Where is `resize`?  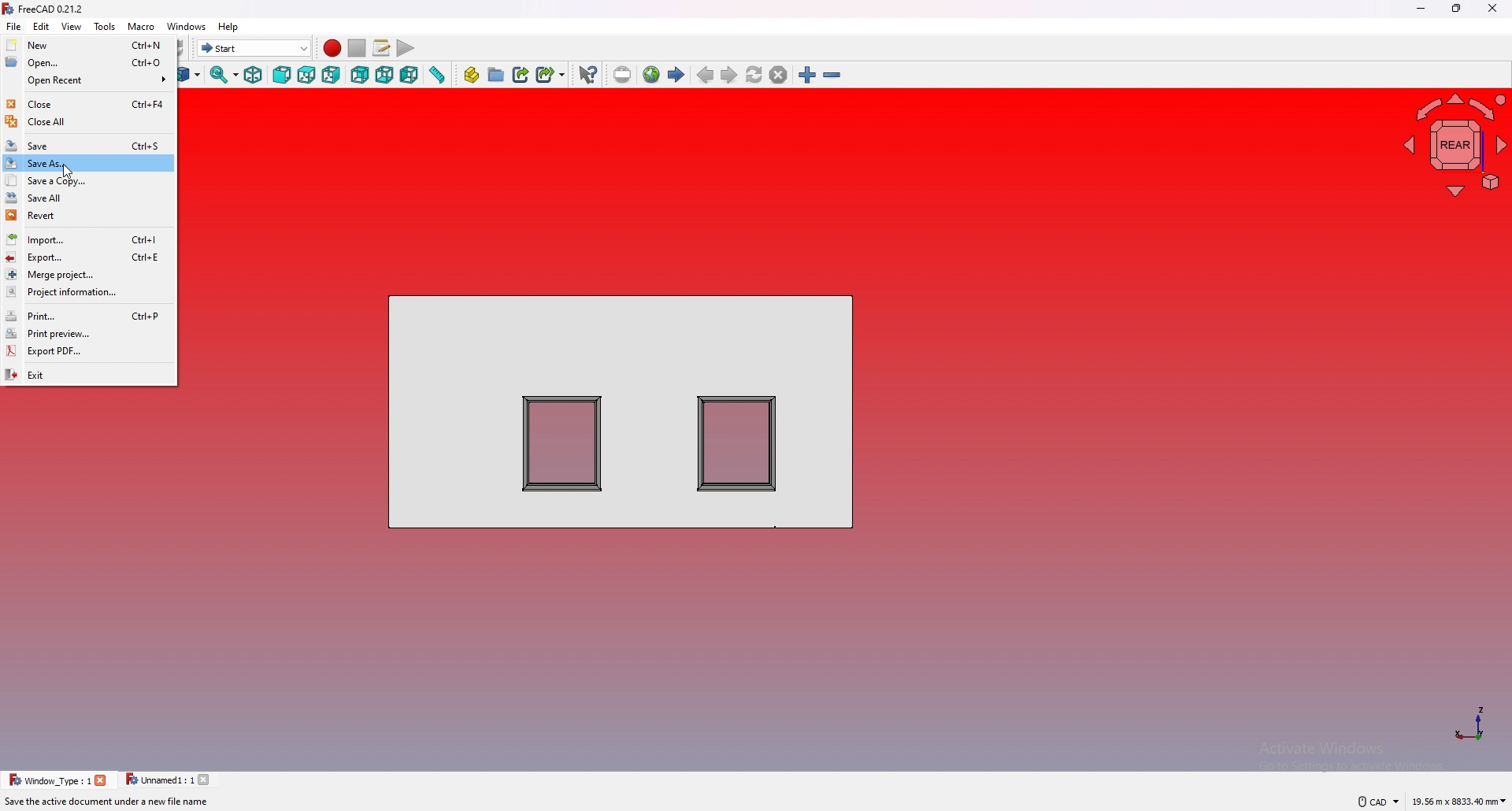 resize is located at coordinates (1456, 9).